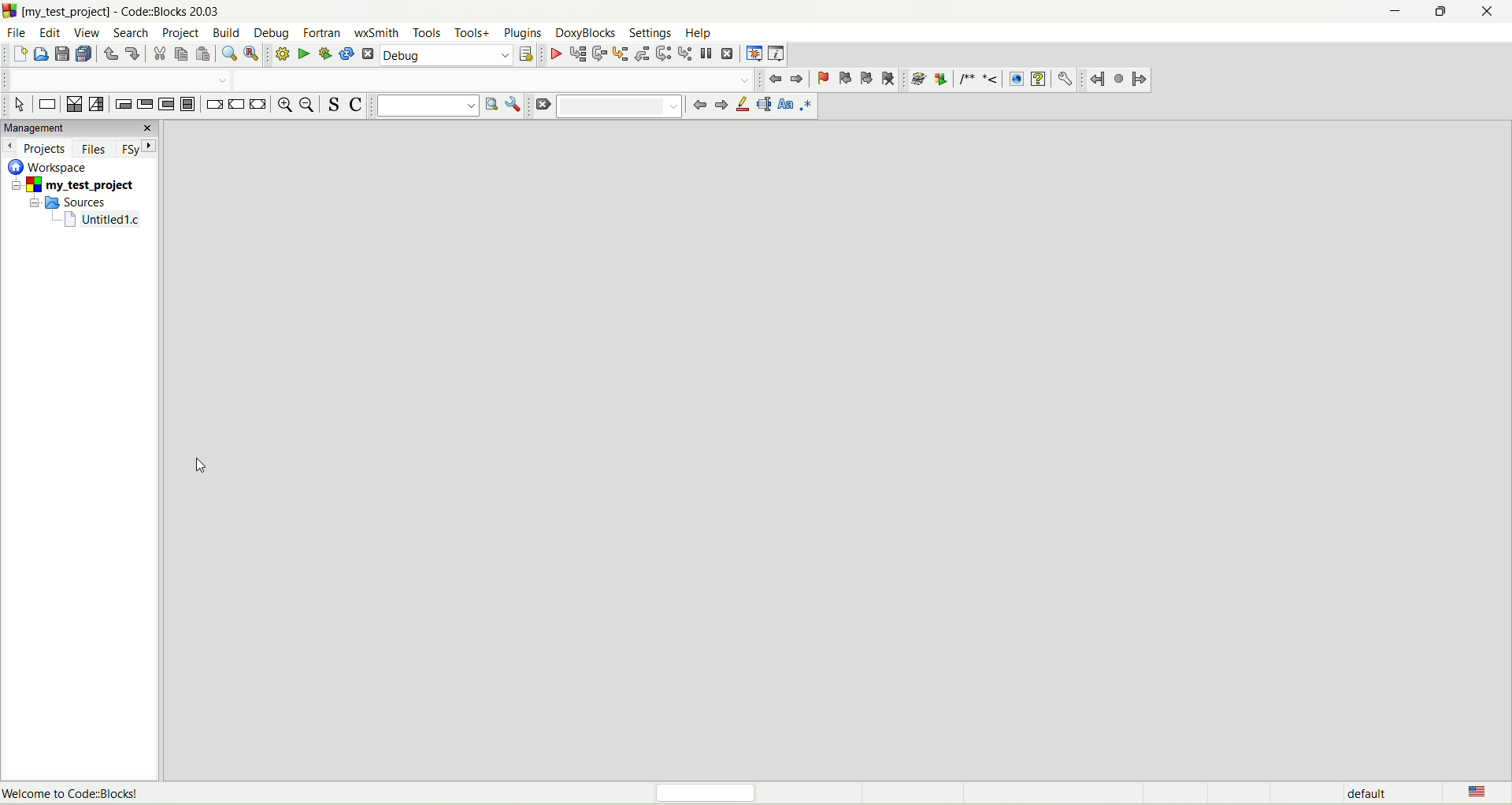 This screenshot has height=805, width=1512. I want to click on default, so click(1366, 793).